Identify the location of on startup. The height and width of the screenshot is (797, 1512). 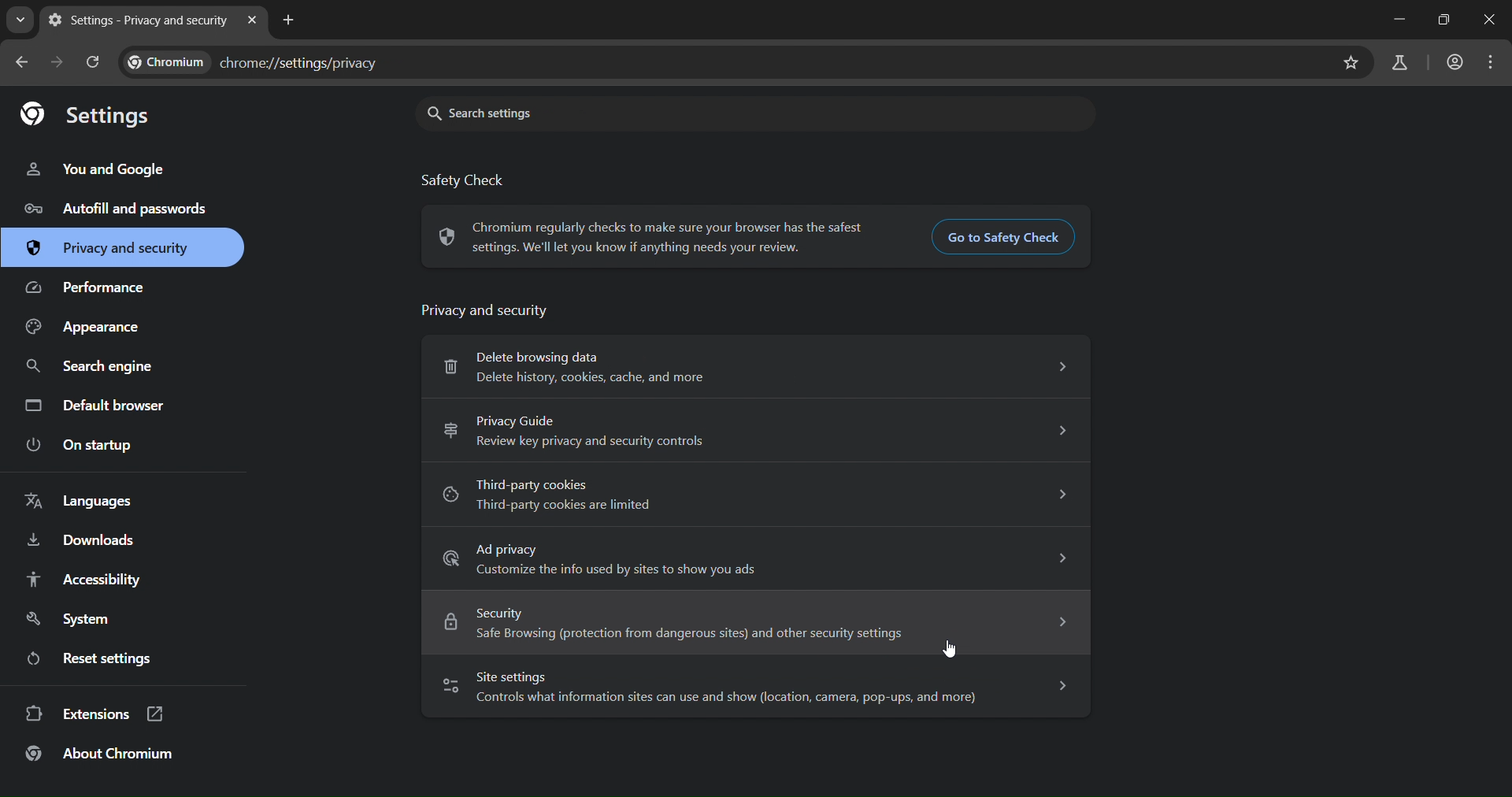
(84, 444).